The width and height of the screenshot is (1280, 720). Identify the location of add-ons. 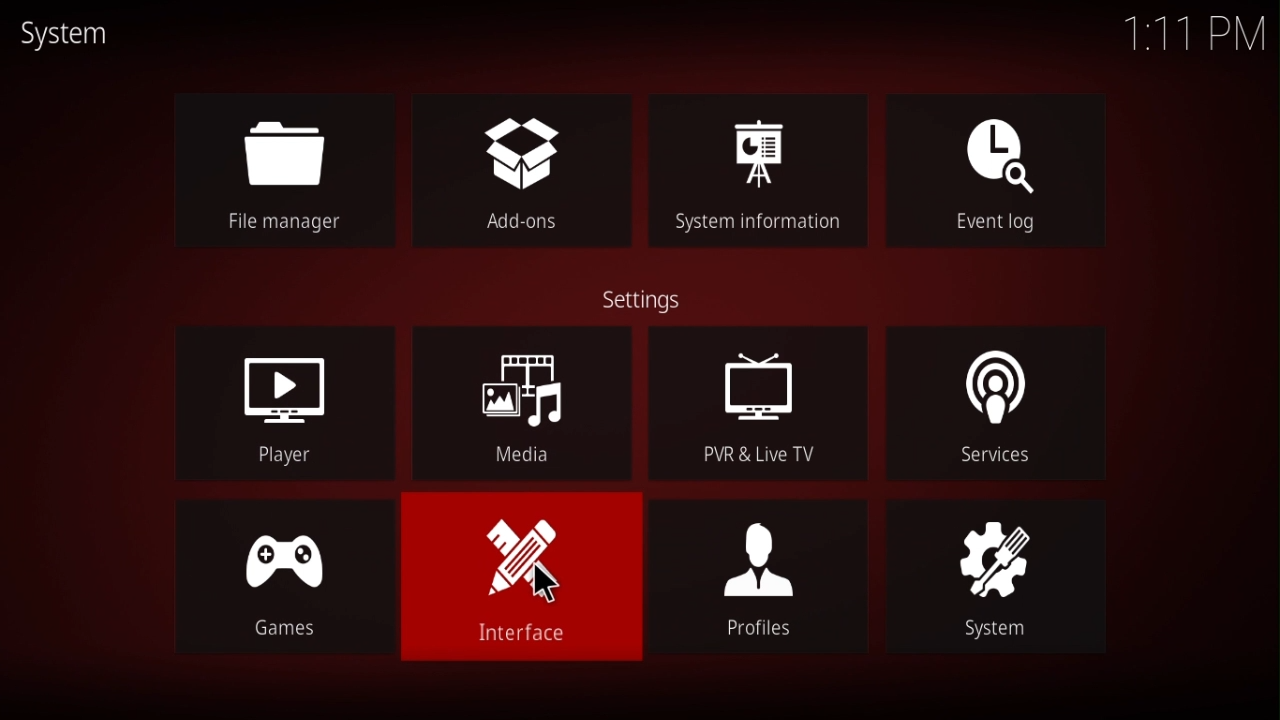
(515, 170).